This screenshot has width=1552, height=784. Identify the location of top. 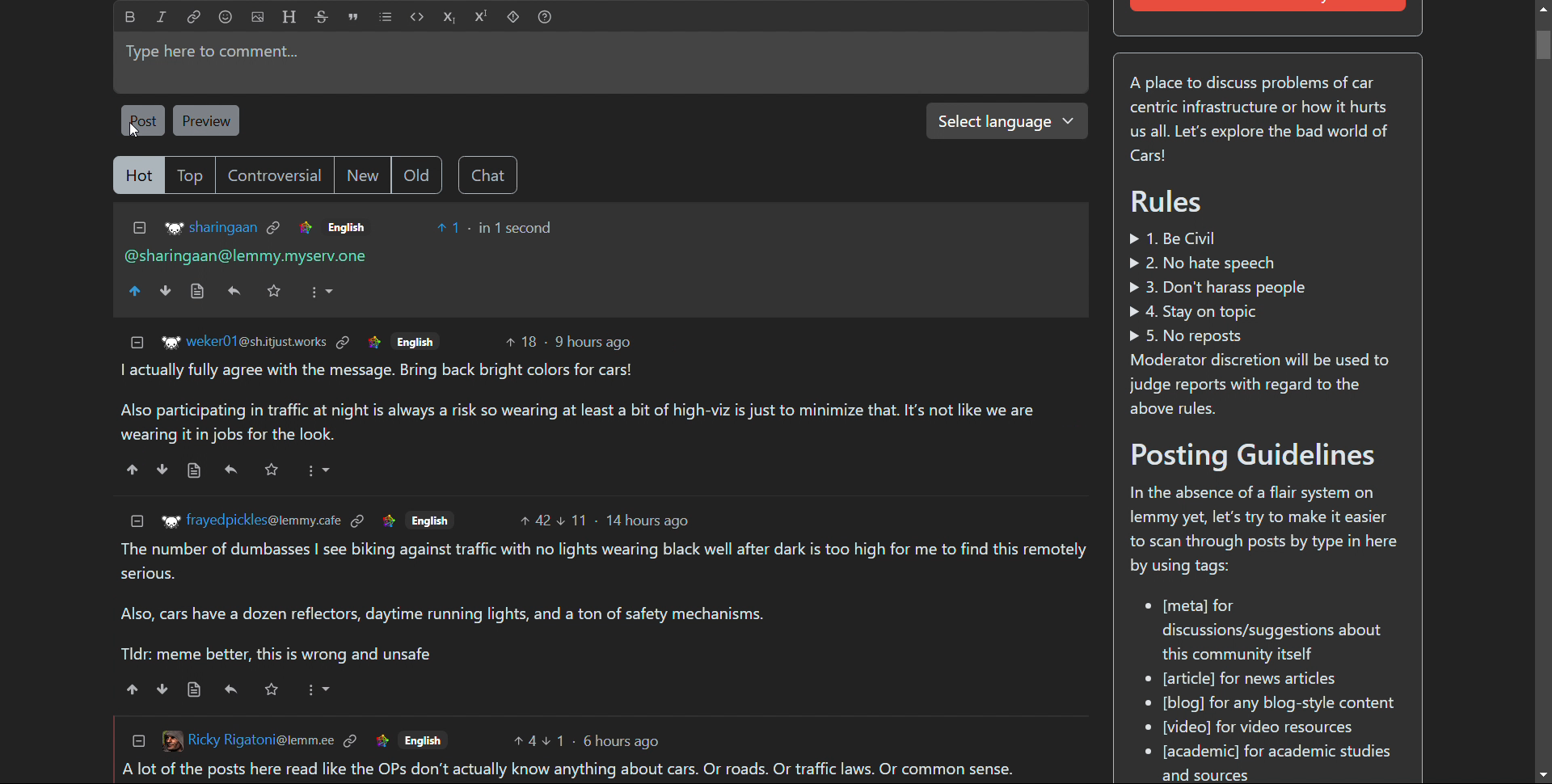
(189, 175).